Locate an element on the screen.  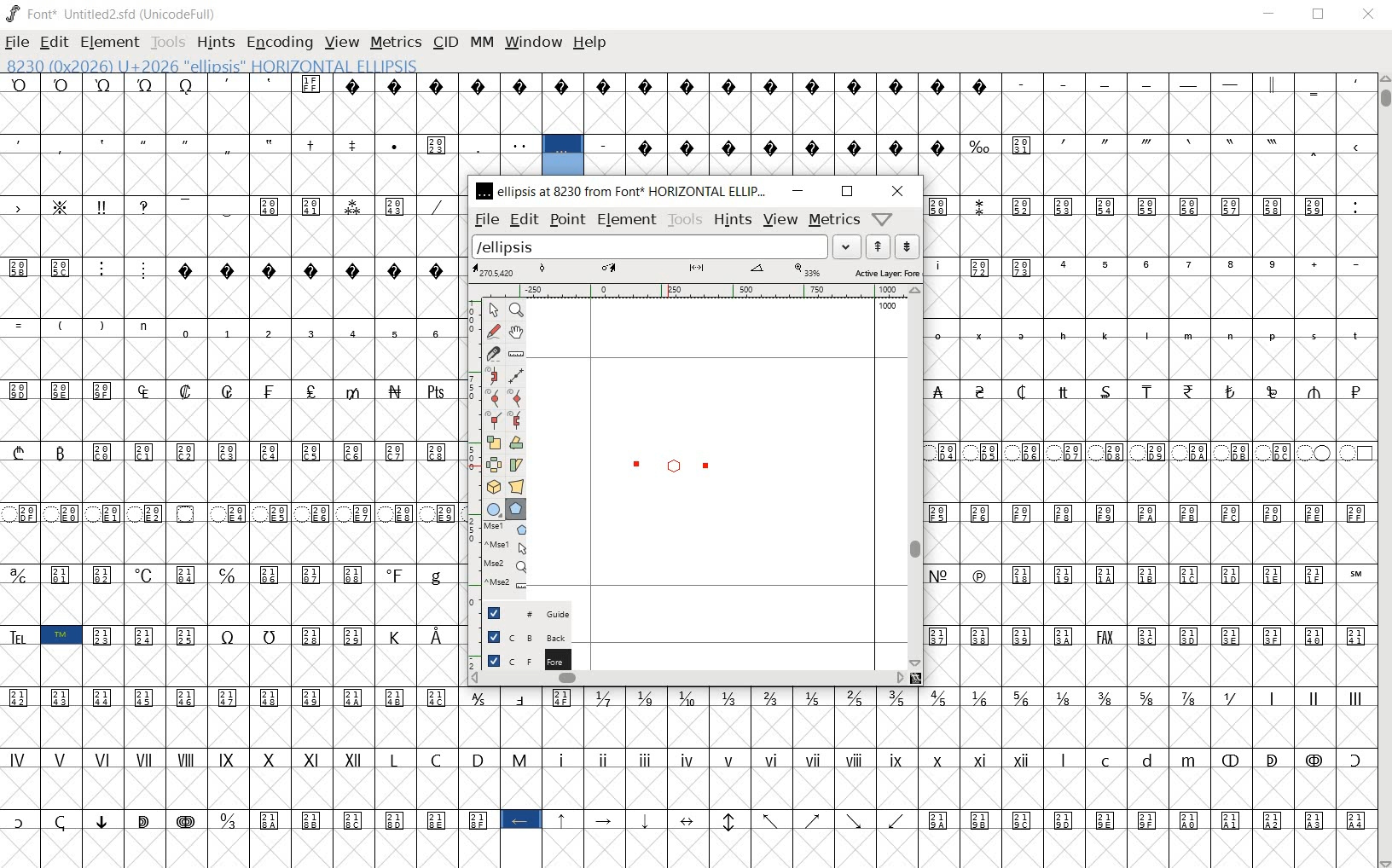
glyph characters is located at coordinates (1000, 124).